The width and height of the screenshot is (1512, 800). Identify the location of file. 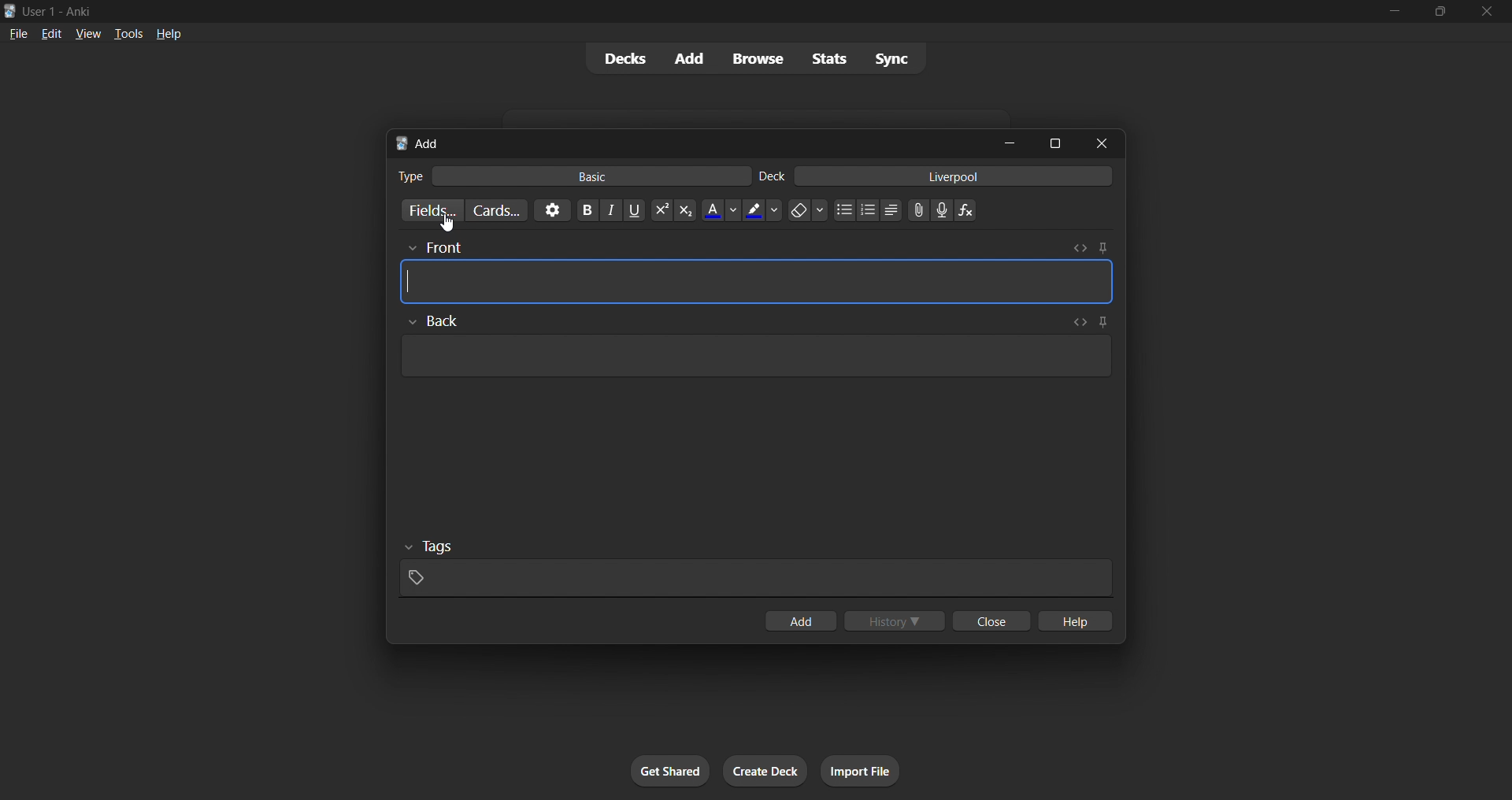
(18, 32).